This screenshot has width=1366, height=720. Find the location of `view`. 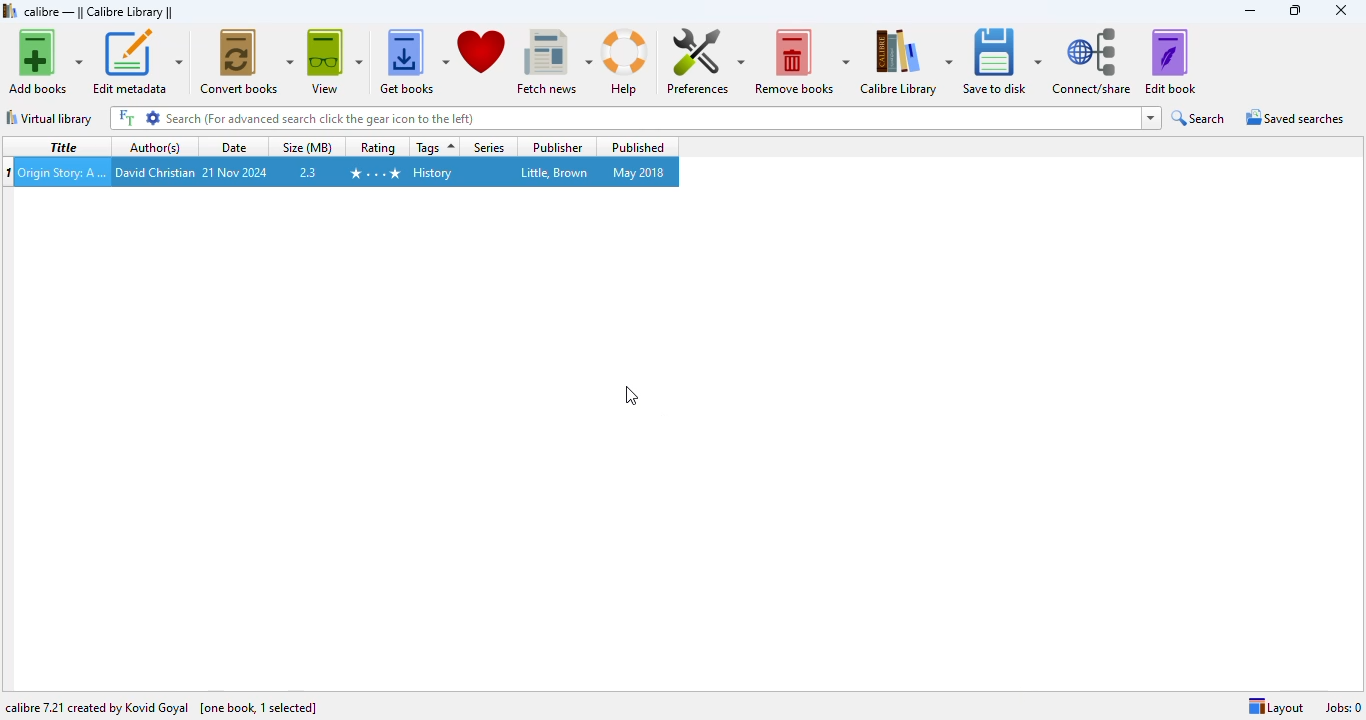

view is located at coordinates (335, 62).